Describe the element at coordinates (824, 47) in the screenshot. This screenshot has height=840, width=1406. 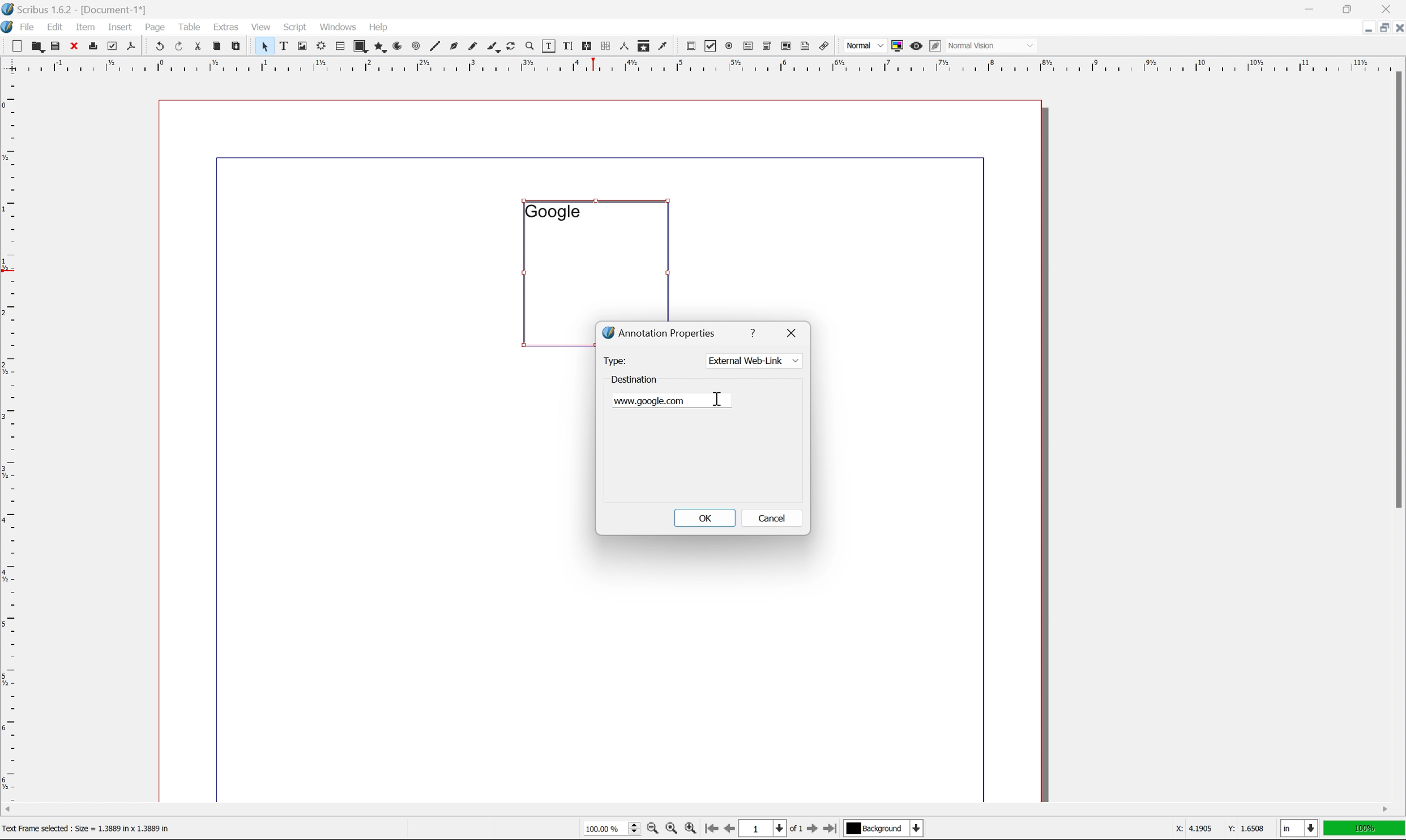
I see `link annotation` at that location.